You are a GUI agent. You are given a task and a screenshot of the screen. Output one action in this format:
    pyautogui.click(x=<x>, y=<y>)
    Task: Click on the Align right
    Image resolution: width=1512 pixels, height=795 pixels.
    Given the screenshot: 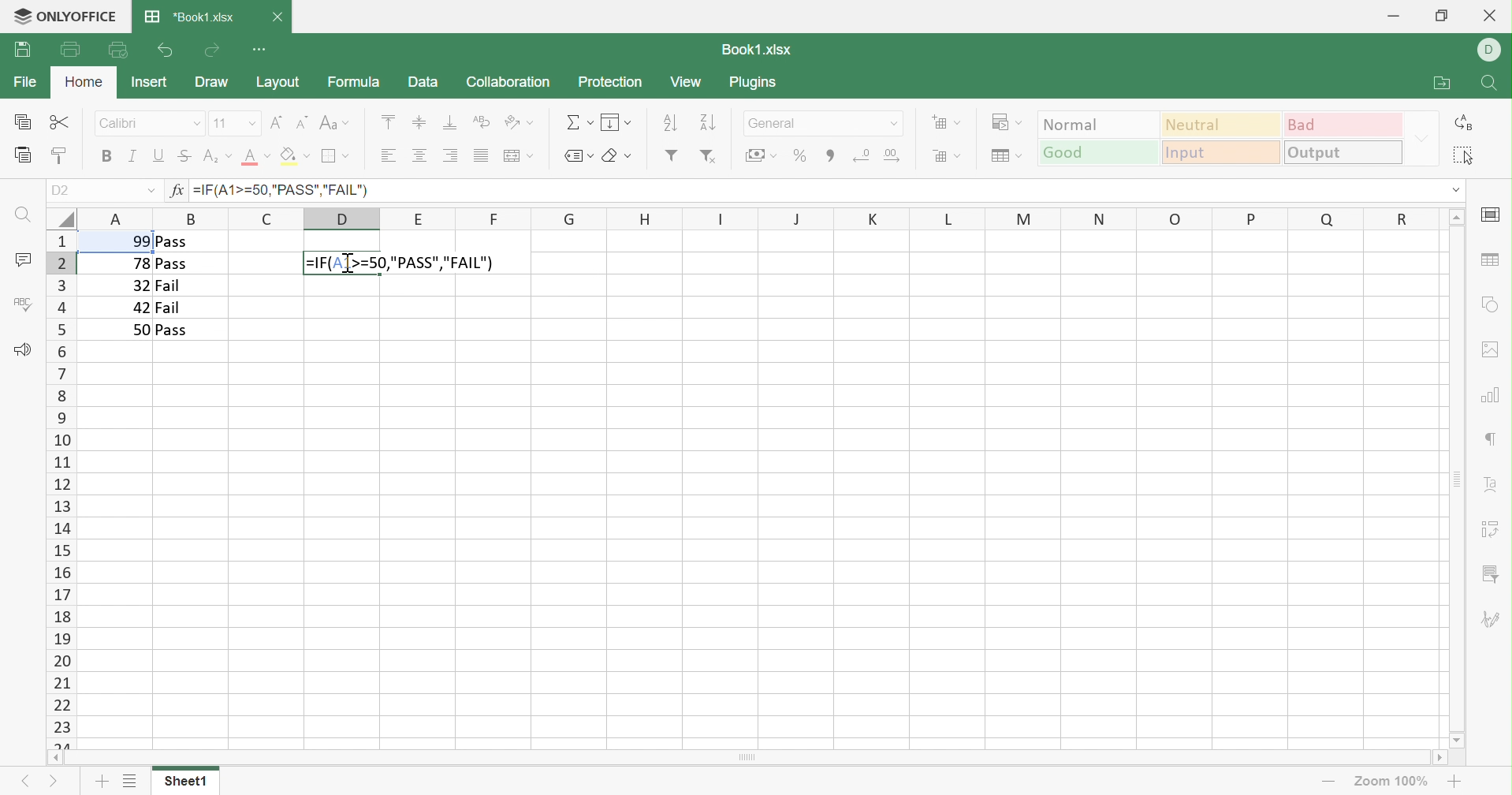 What is the action you would take?
    pyautogui.click(x=449, y=156)
    